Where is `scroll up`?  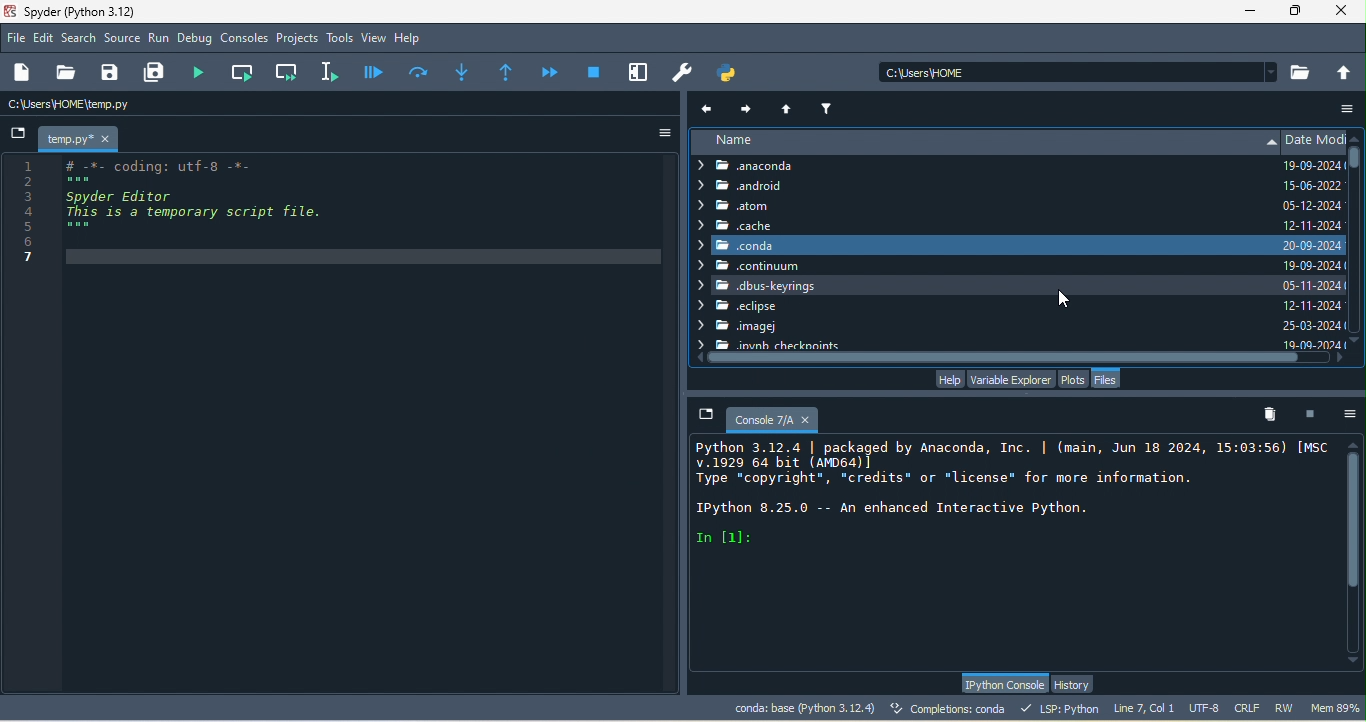
scroll up is located at coordinates (1357, 135).